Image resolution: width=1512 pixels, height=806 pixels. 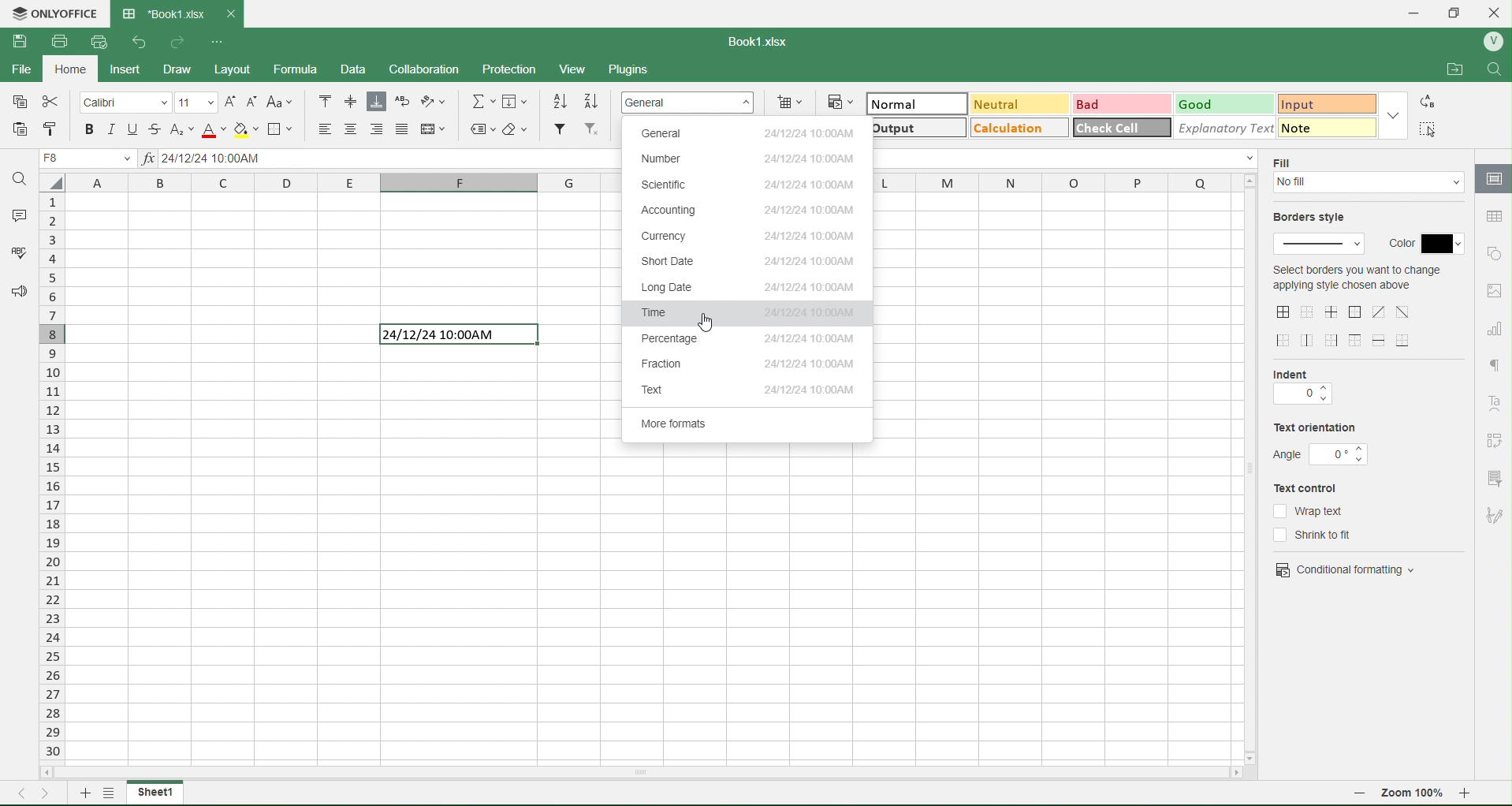 I want to click on Select All, so click(x=1431, y=129).